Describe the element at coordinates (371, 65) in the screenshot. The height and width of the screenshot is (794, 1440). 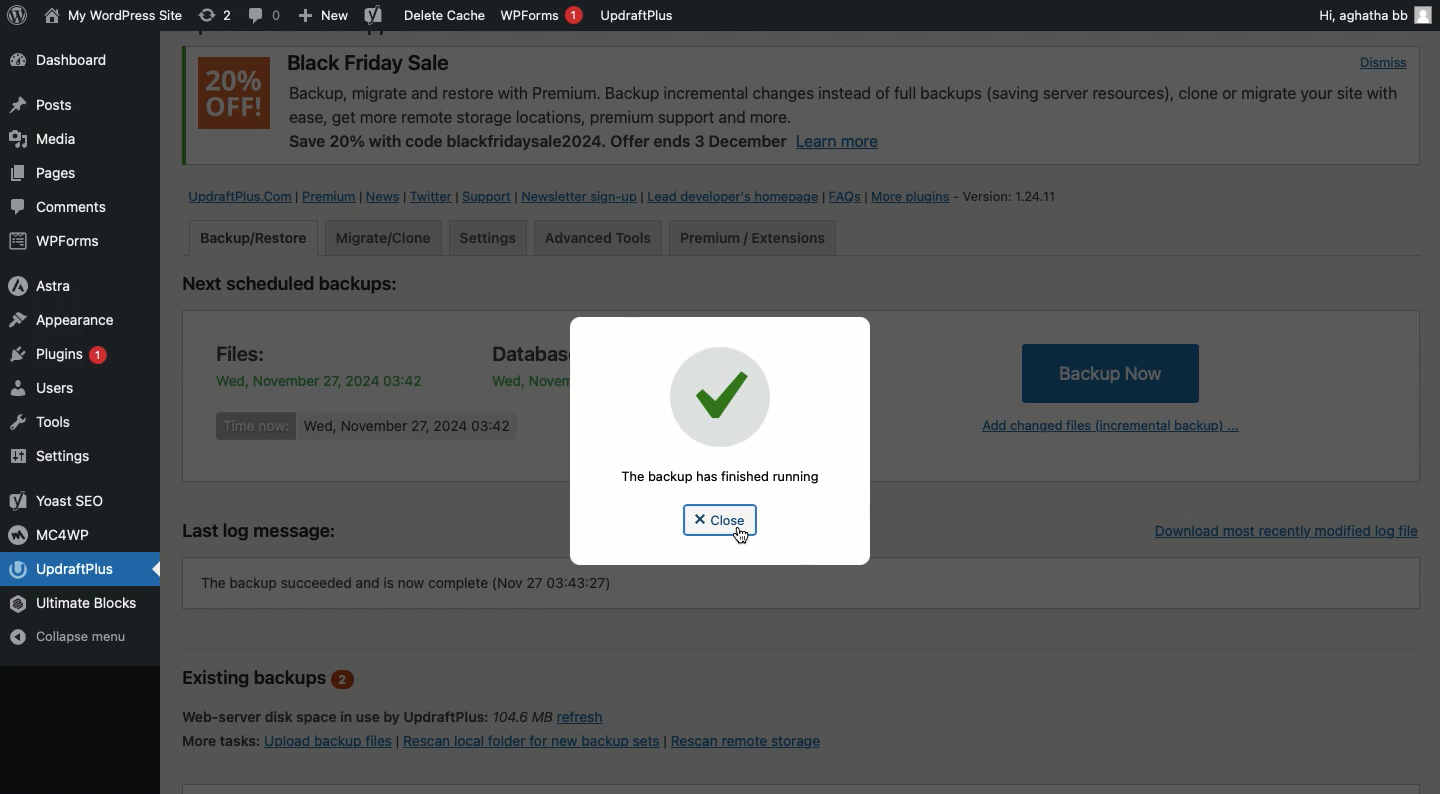
I see `Black Friday Sale` at that location.